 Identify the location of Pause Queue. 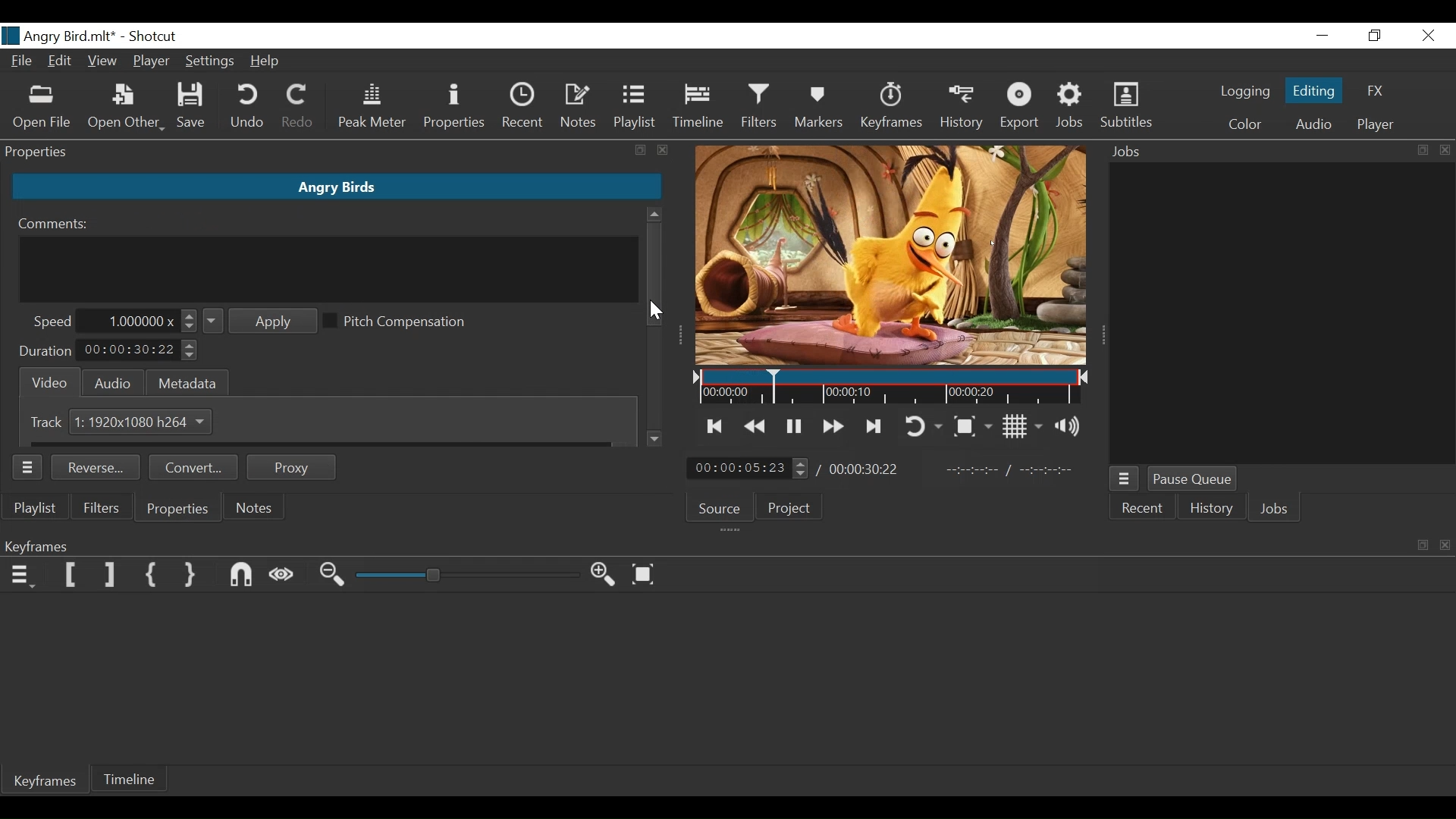
(1193, 479).